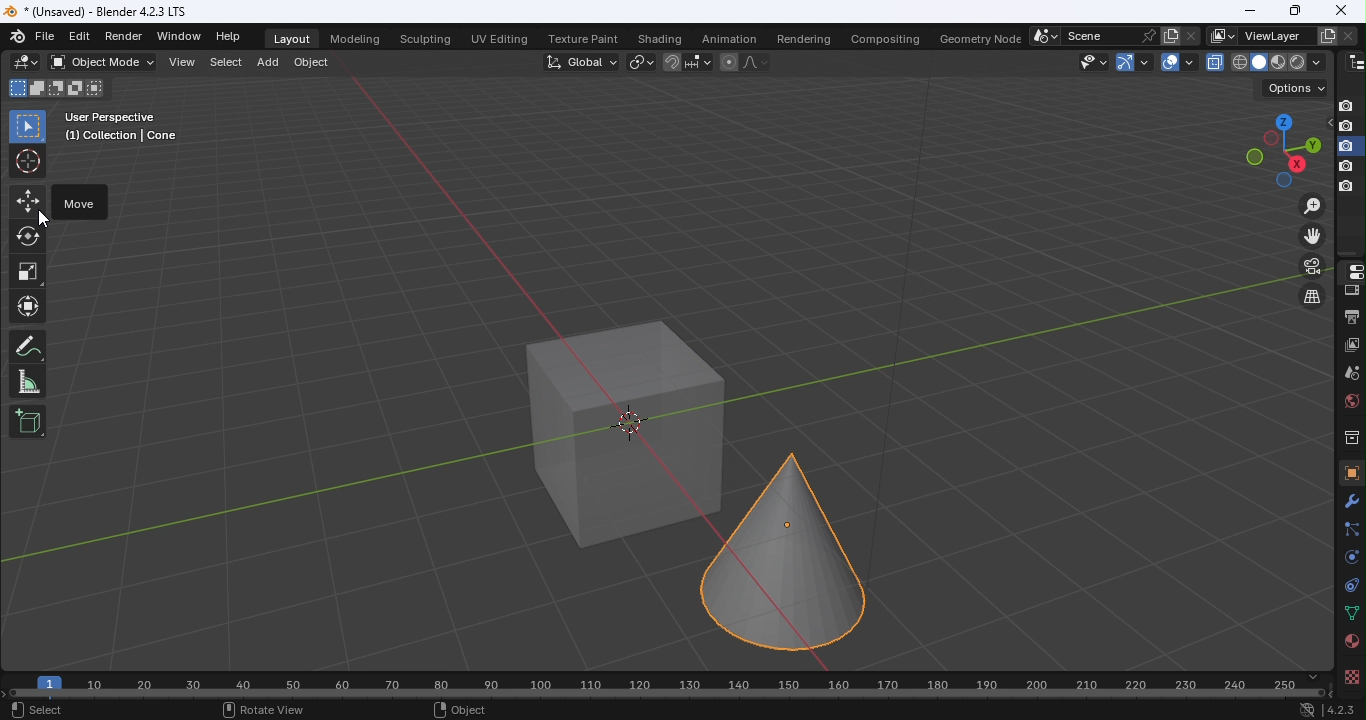  Describe the element at coordinates (982, 36) in the screenshot. I see `Geometry node` at that location.